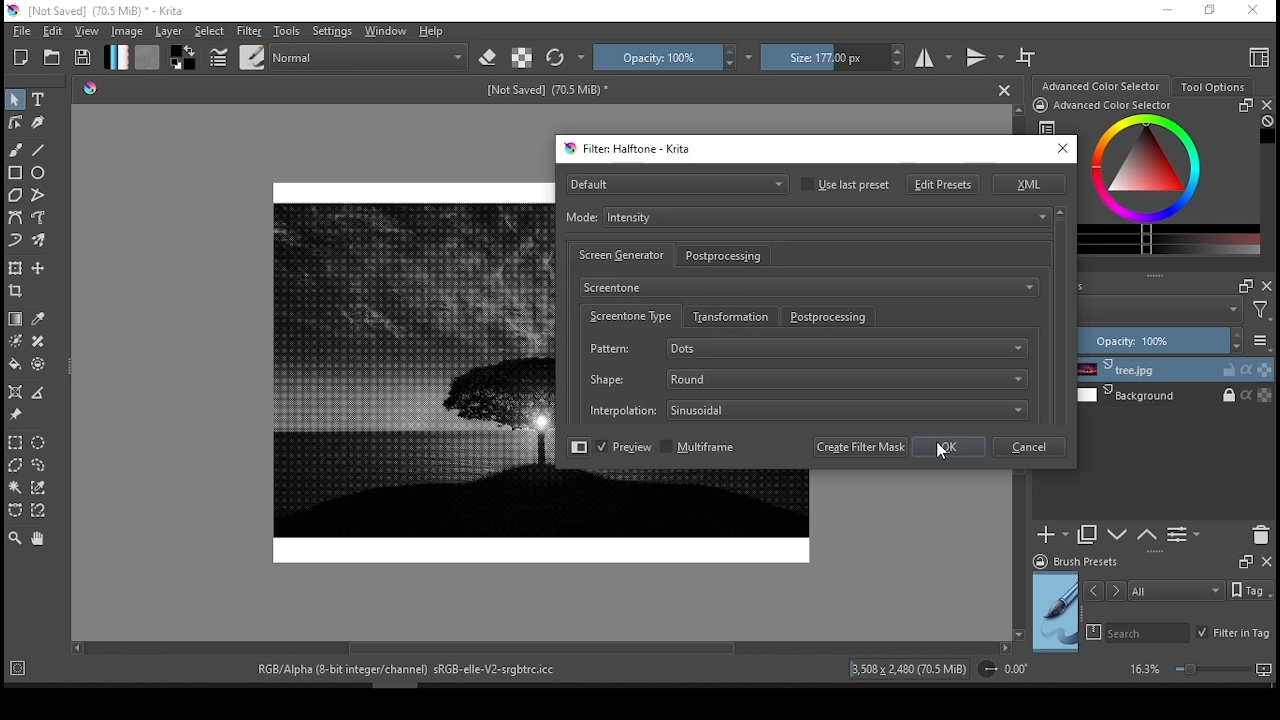 Image resolution: width=1280 pixels, height=720 pixels. Describe the element at coordinates (1166, 10) in the screenshot. I see `minimize` at that location.